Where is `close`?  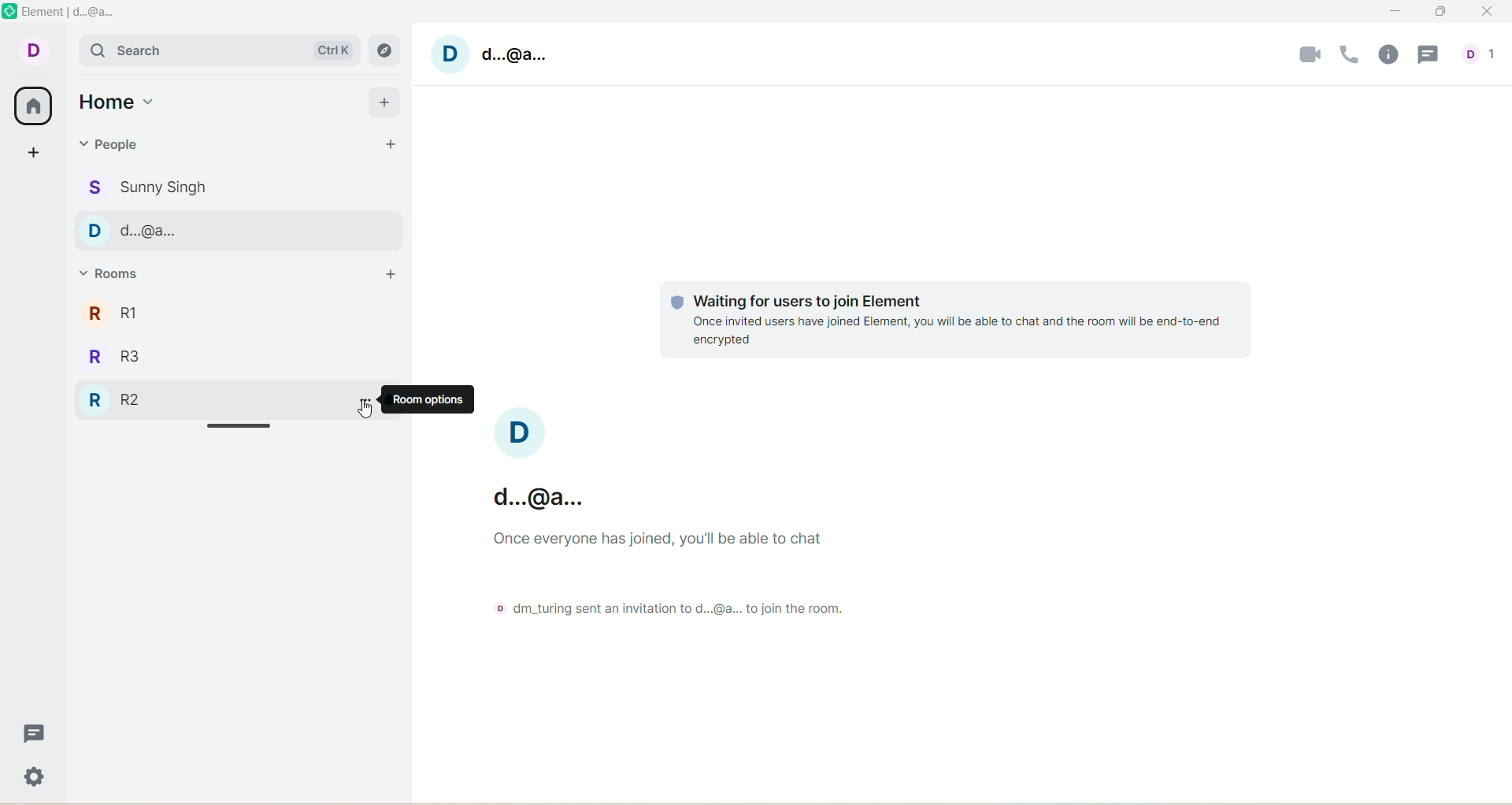
close is located at coordinates (1485, 13).